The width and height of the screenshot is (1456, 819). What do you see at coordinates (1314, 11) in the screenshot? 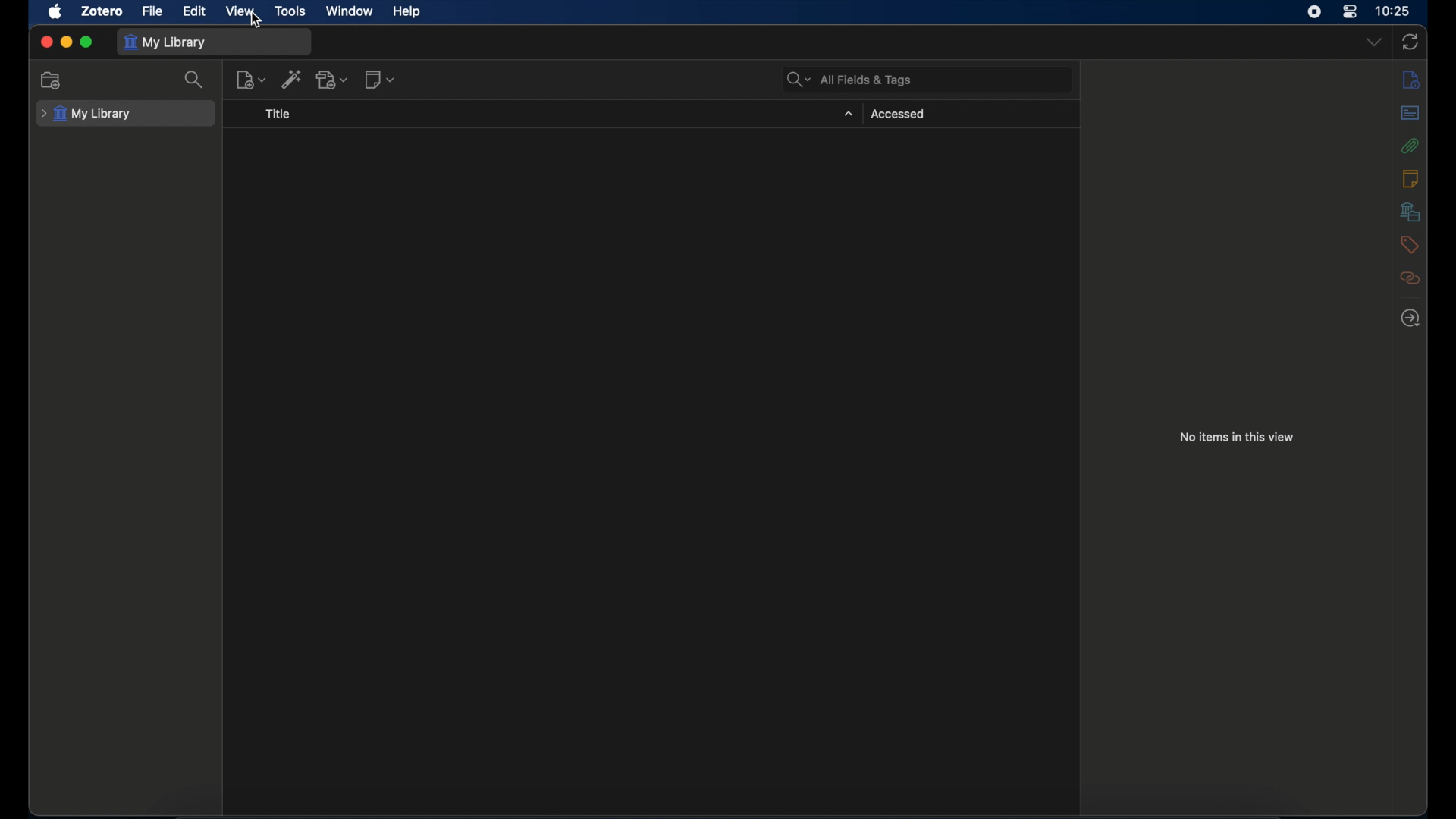
I see `screen recorder` at bounding box center [1314, 11].